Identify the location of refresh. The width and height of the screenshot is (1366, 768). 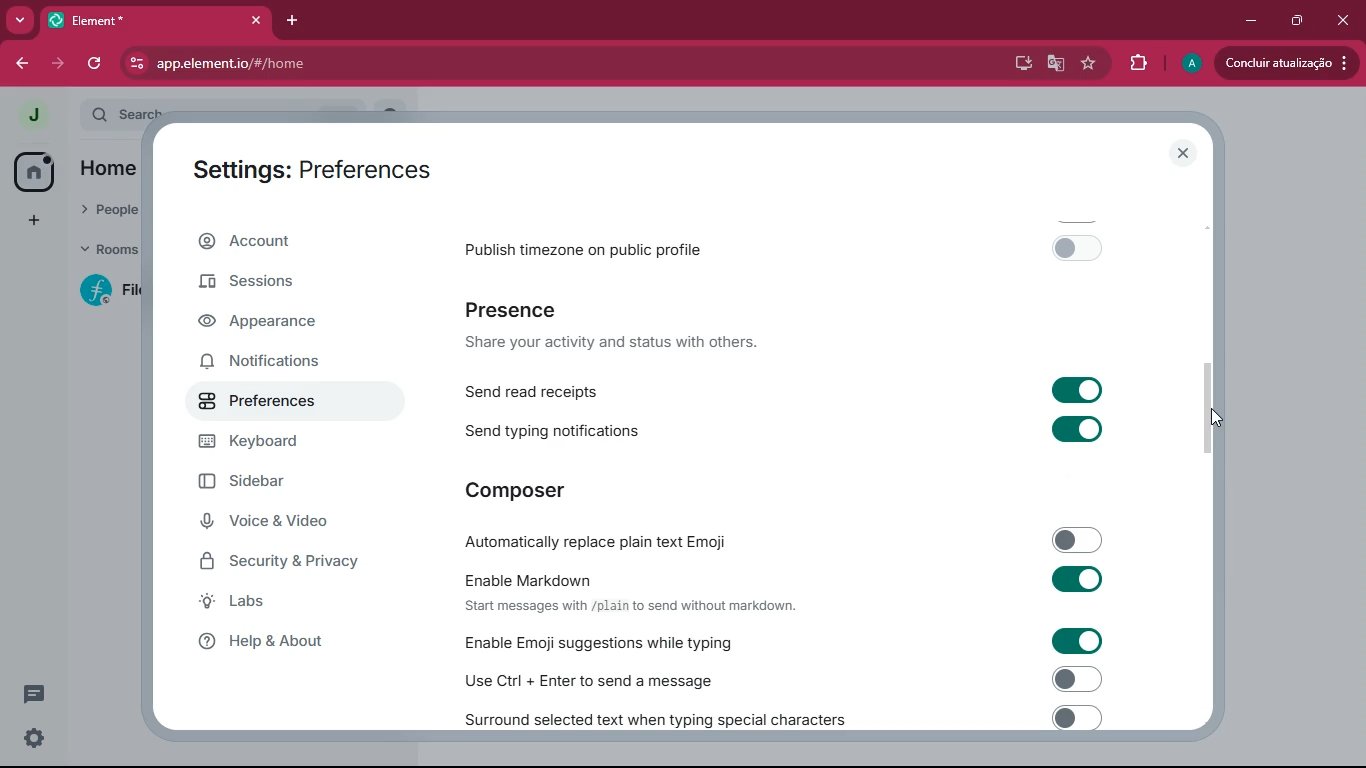
(97, 62).